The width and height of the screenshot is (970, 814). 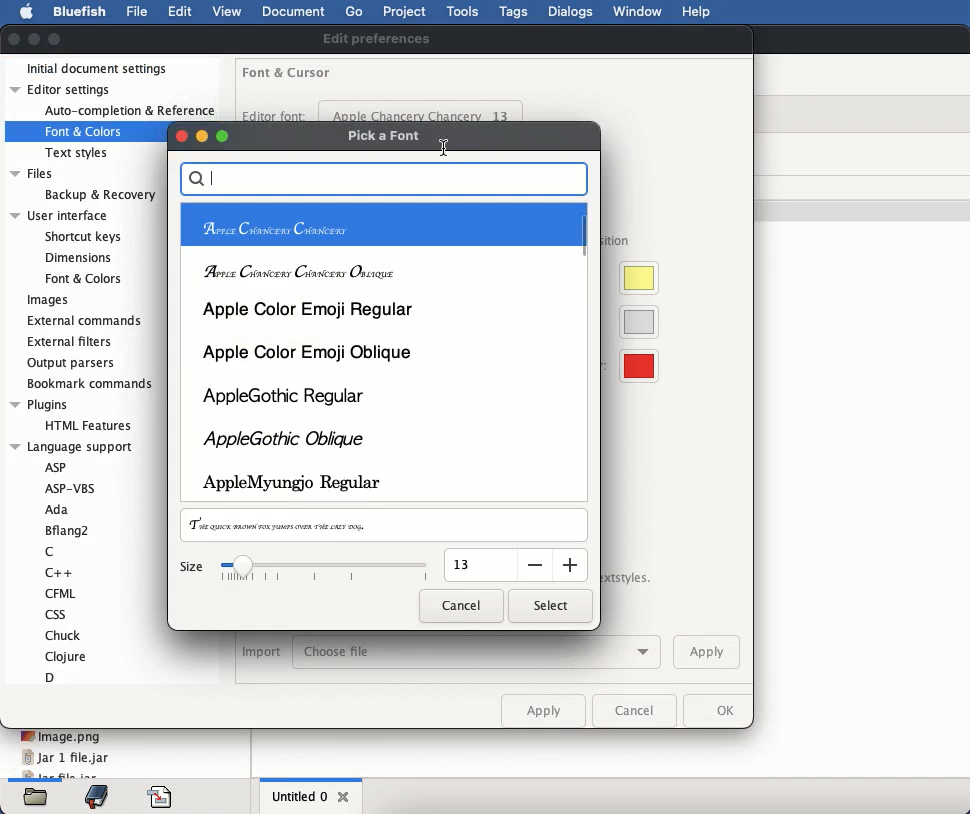 I want to click on dialogs, so click(x=572, y=12).